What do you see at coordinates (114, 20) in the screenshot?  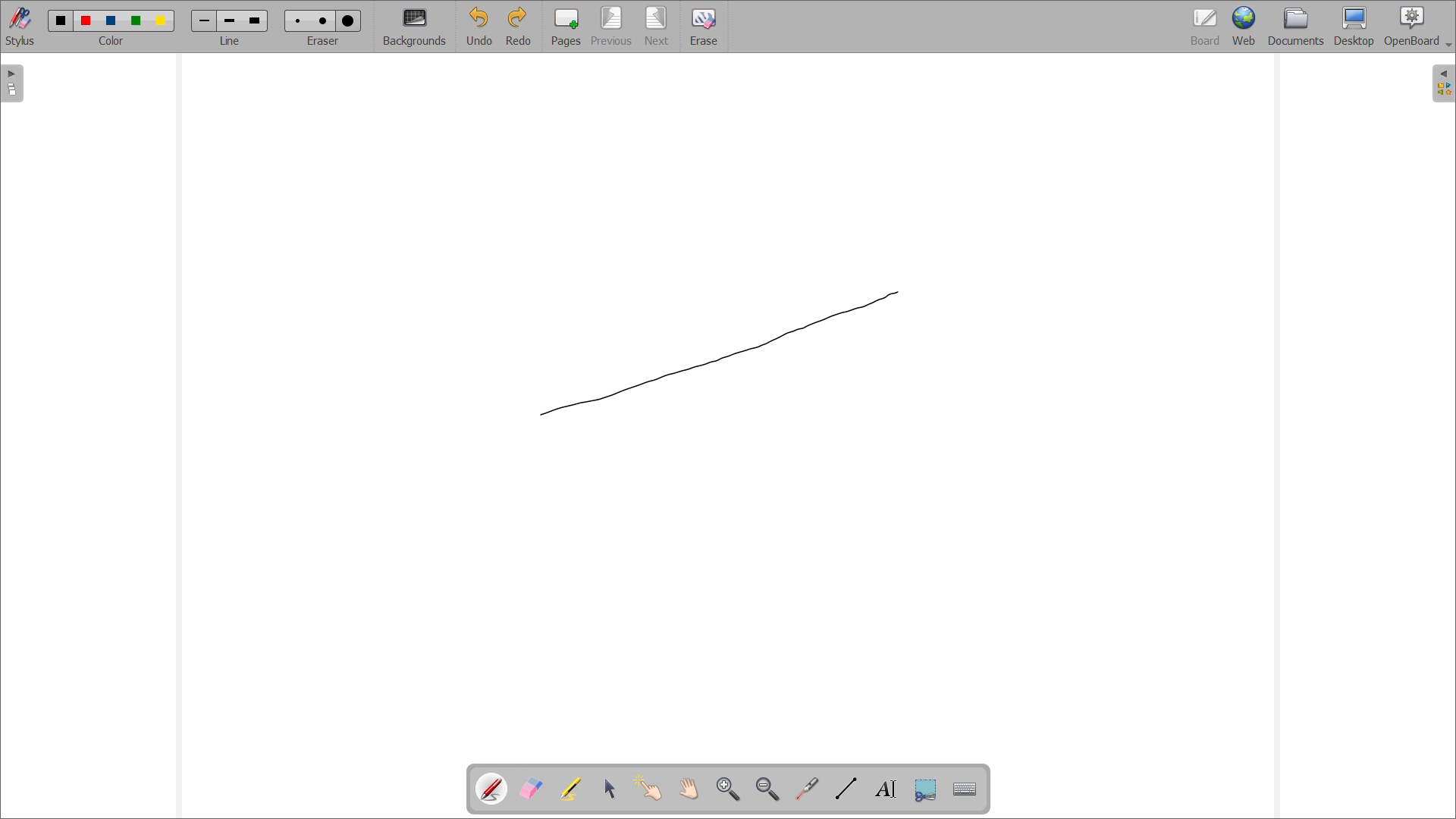 I see `color` at bounding box center [114, 20].